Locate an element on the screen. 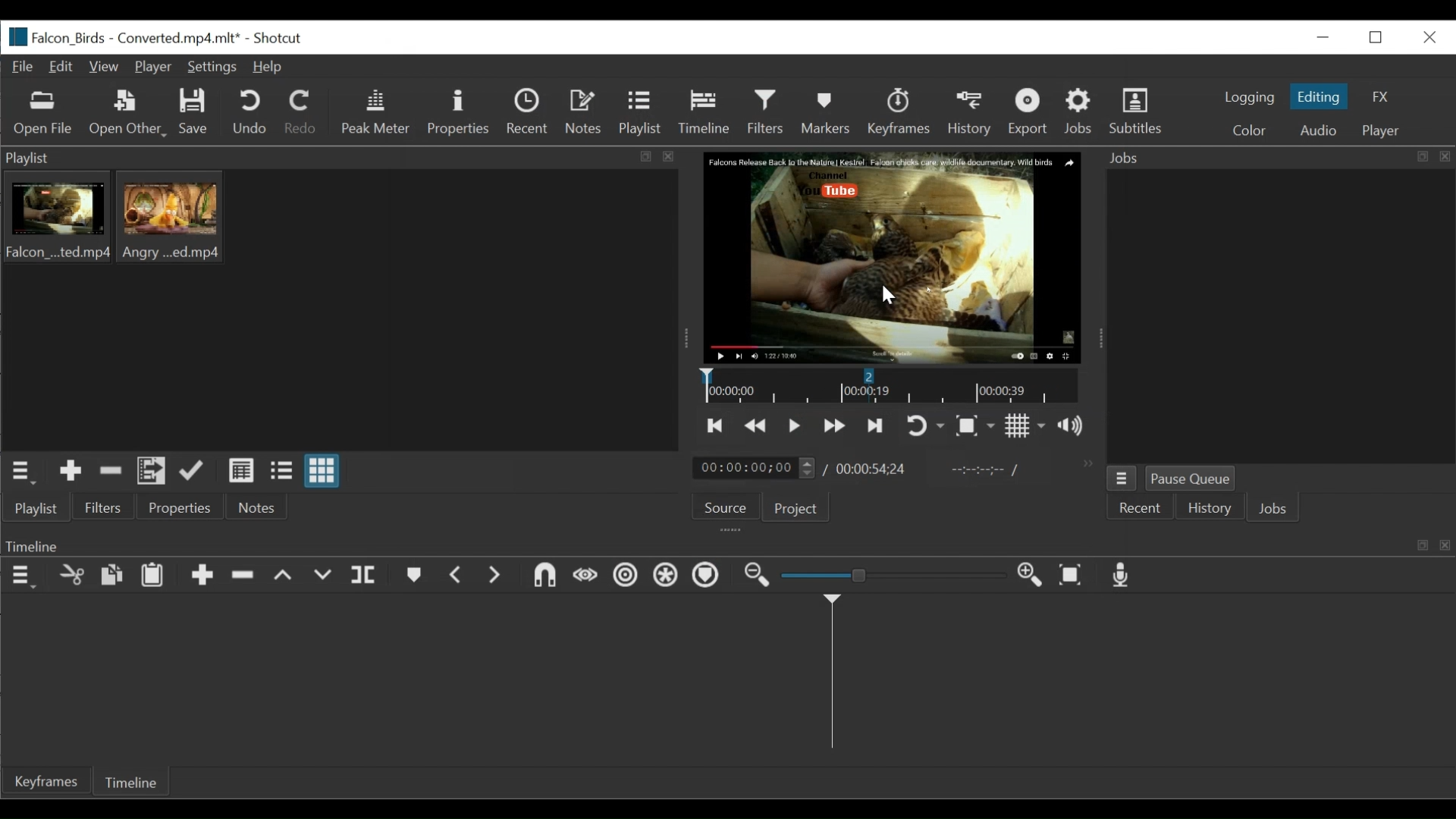 This screenshot has height=819, width=1456. Markers is located at coordinates (416, 576).